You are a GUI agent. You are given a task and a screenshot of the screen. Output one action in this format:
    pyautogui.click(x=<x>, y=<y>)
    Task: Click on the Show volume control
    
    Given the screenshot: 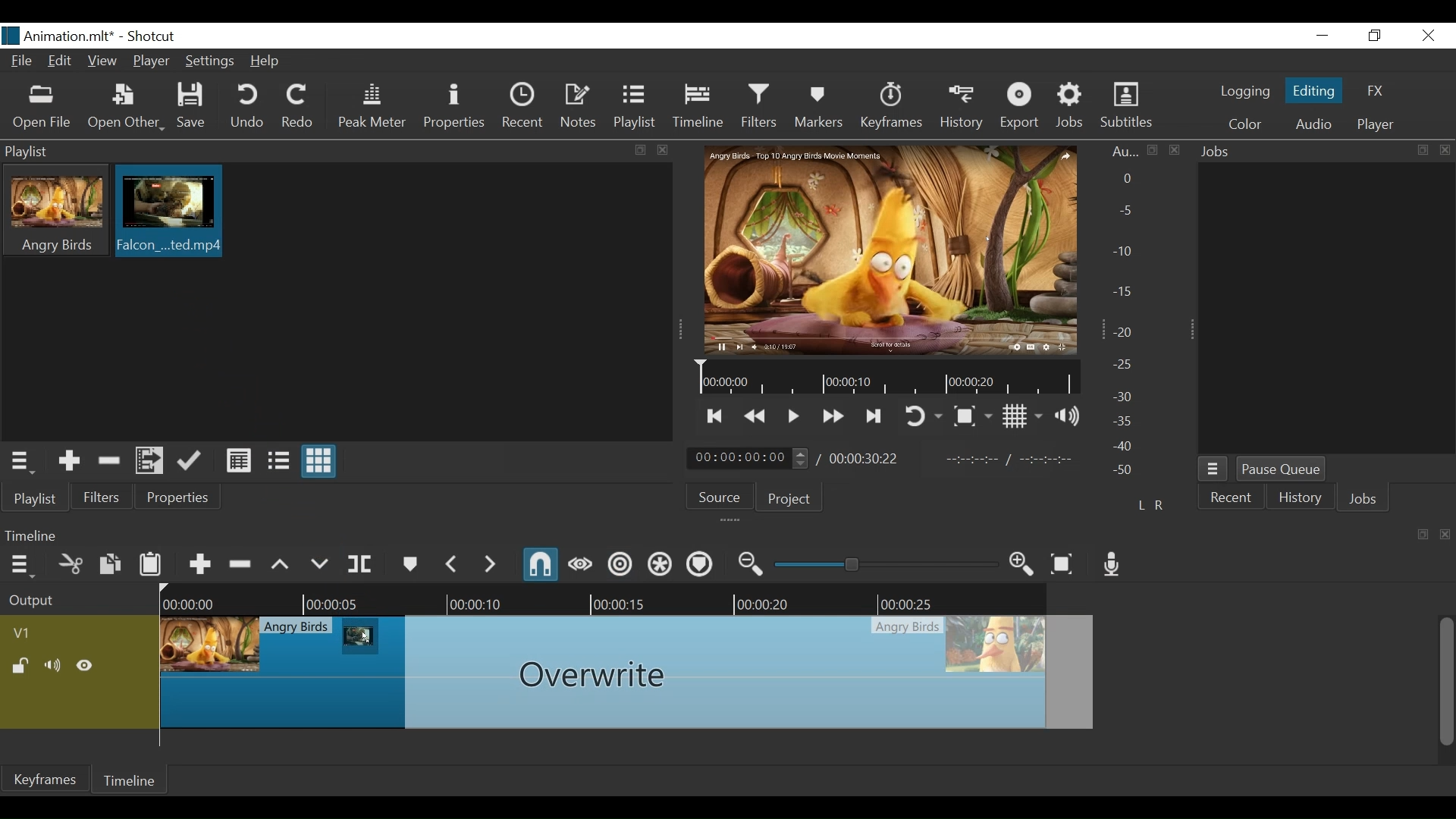 What is the action you would take?
    pyautogui.click(x=1068, y=416)
    